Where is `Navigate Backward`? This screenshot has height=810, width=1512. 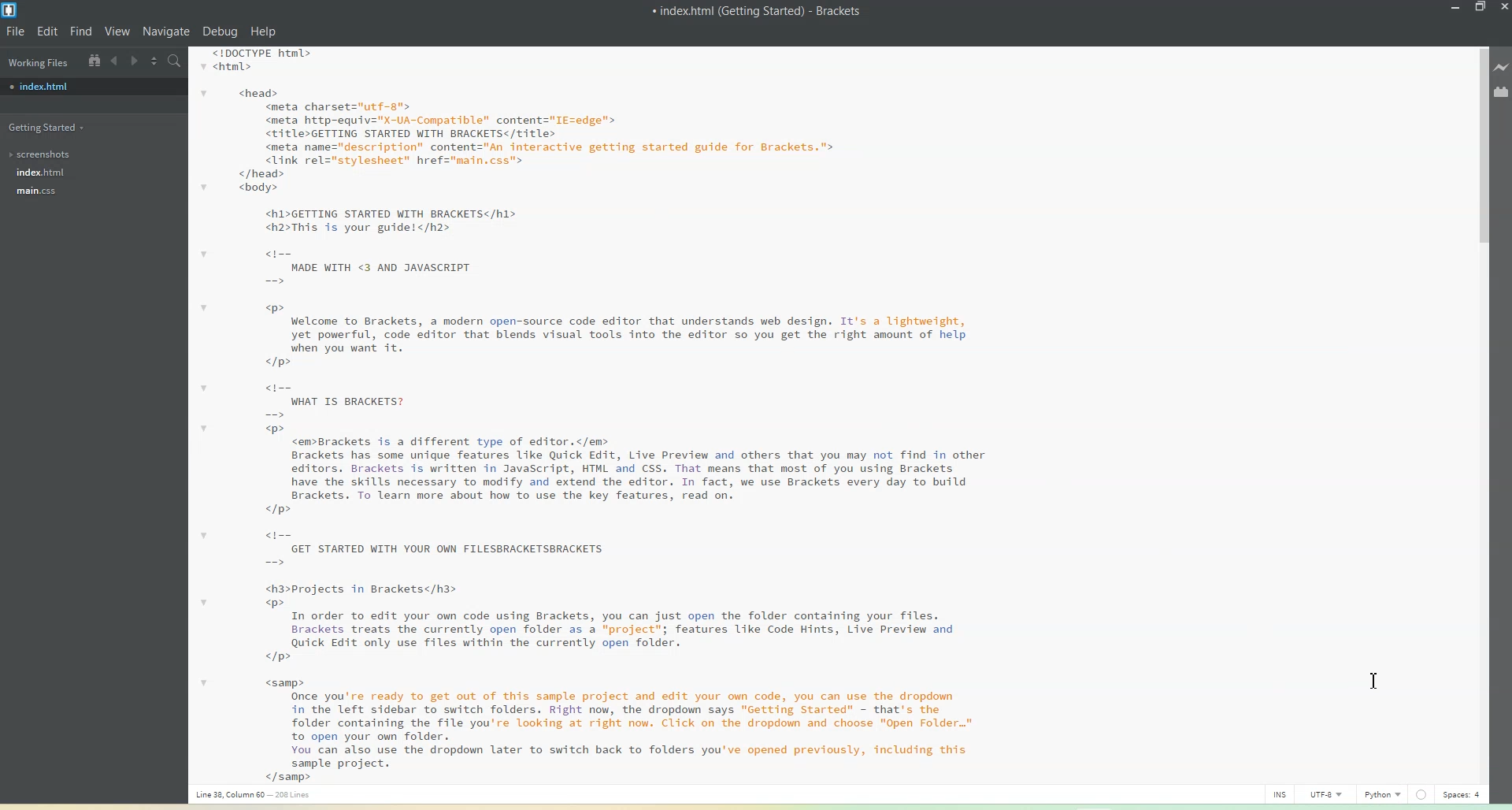
Navigate Backward is located at coordinates (115, 61).